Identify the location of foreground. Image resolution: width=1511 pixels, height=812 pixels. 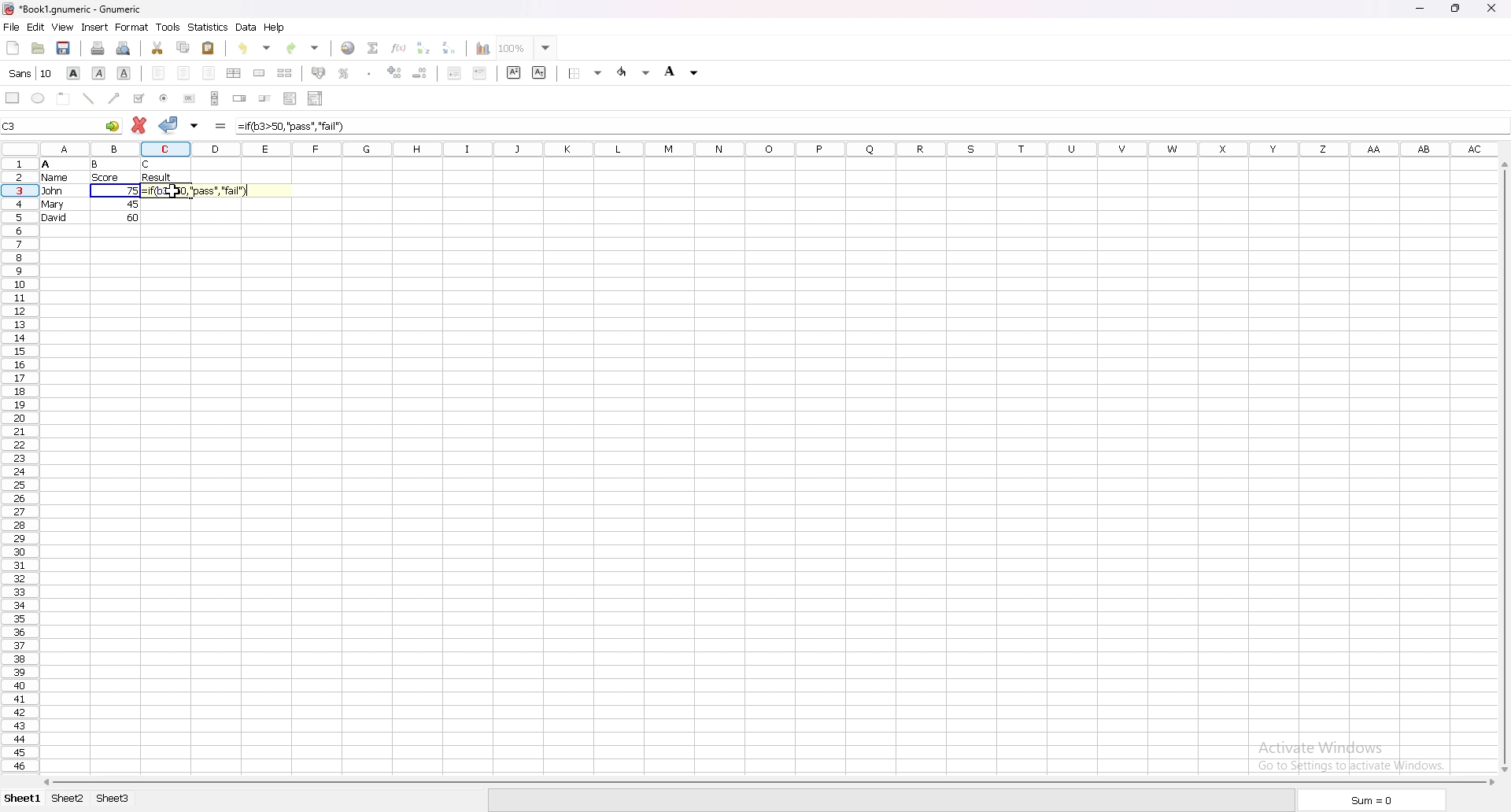
(634, 72).